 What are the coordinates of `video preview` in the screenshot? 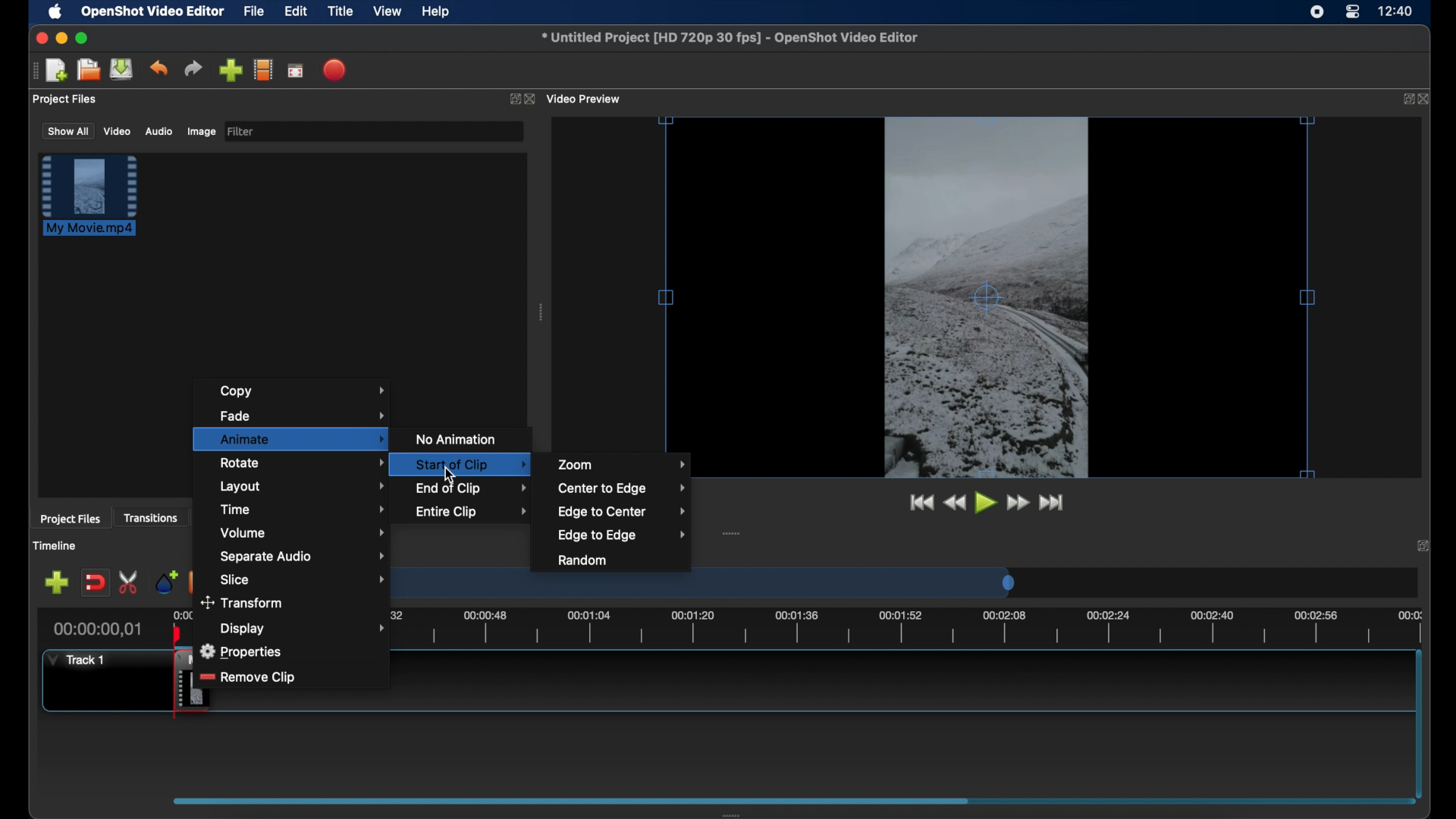 It's located at (585, 99).